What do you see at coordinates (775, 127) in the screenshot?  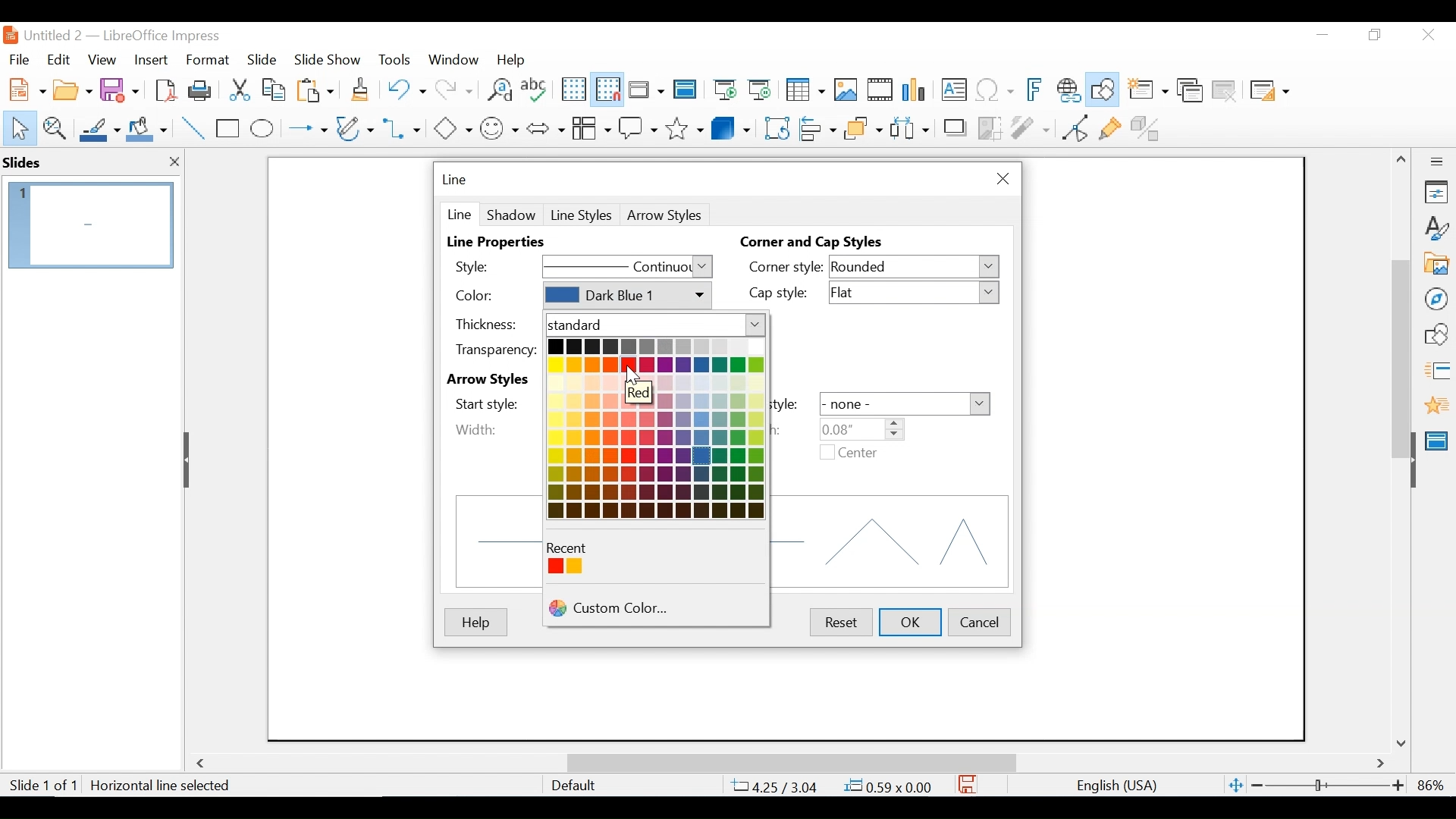 I see `Rotate` at bounding box center [775, 127].